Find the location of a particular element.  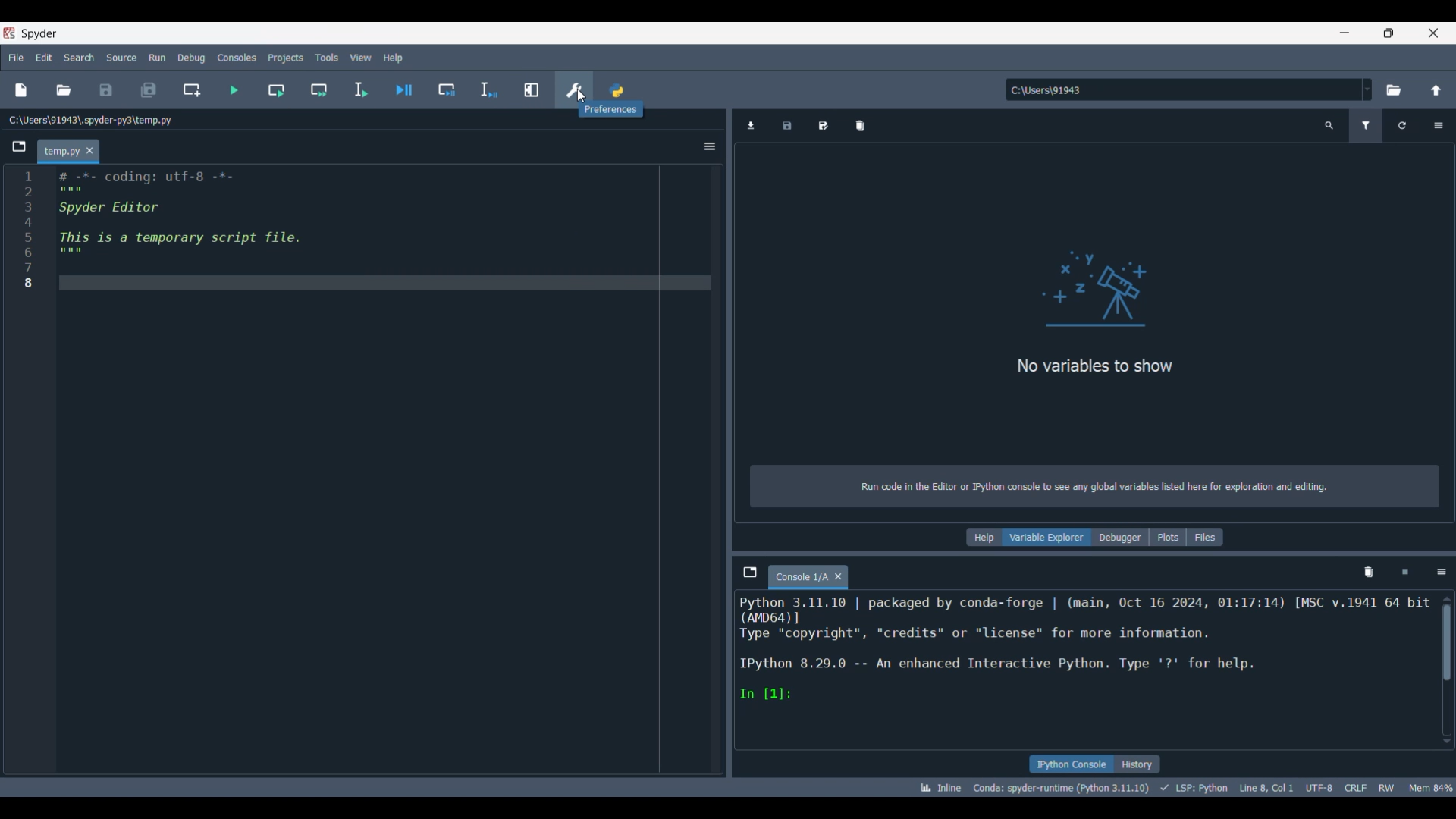

Run menu is located at coordinates (157, 57).